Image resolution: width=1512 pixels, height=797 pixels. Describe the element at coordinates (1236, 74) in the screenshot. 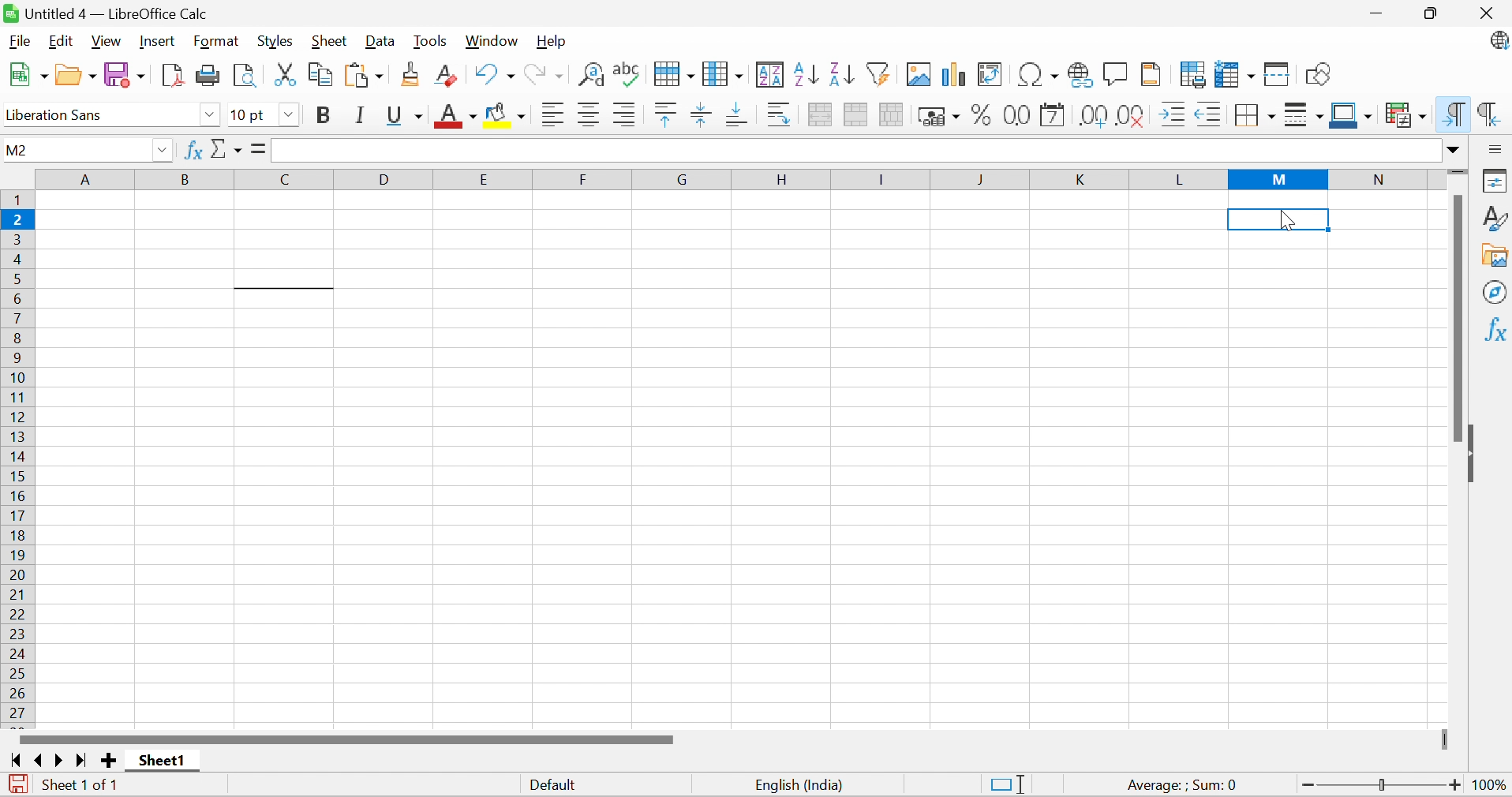

I see `Freeze Rows and Columns` at that location.